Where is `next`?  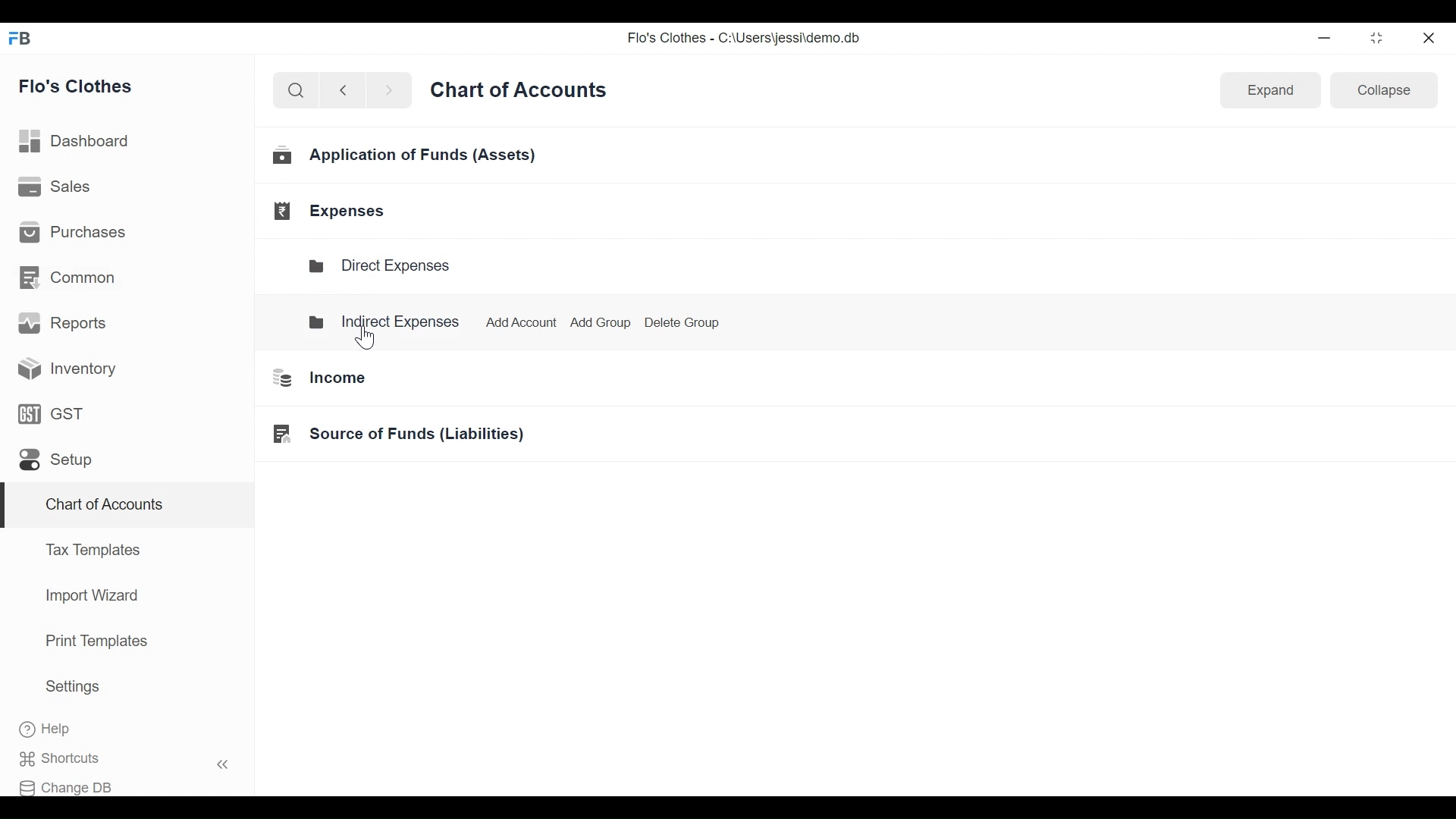 next is located at coordinates (391, 93).